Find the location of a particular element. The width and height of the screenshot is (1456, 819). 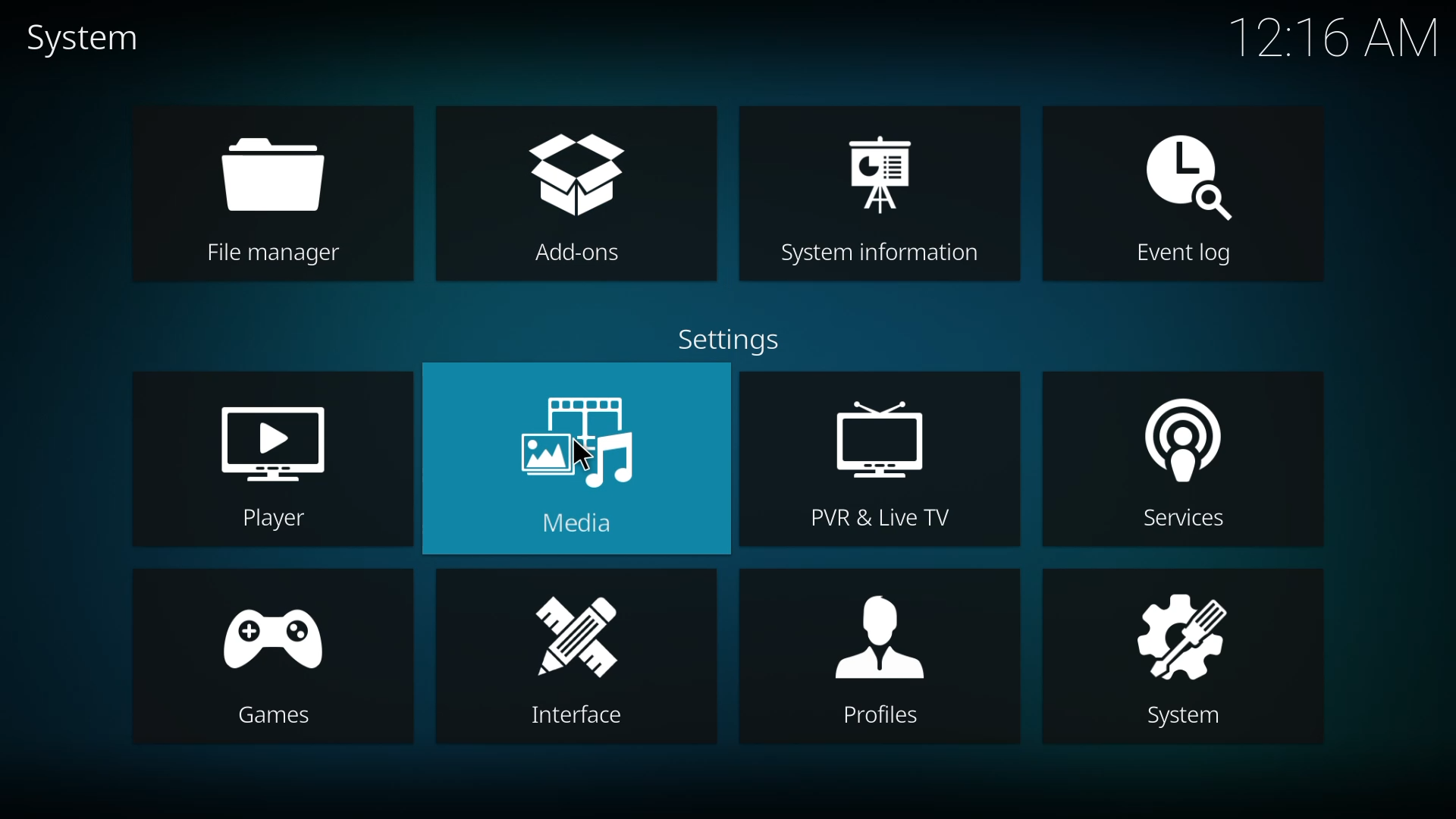

Media is located at coordinates (576, 524).